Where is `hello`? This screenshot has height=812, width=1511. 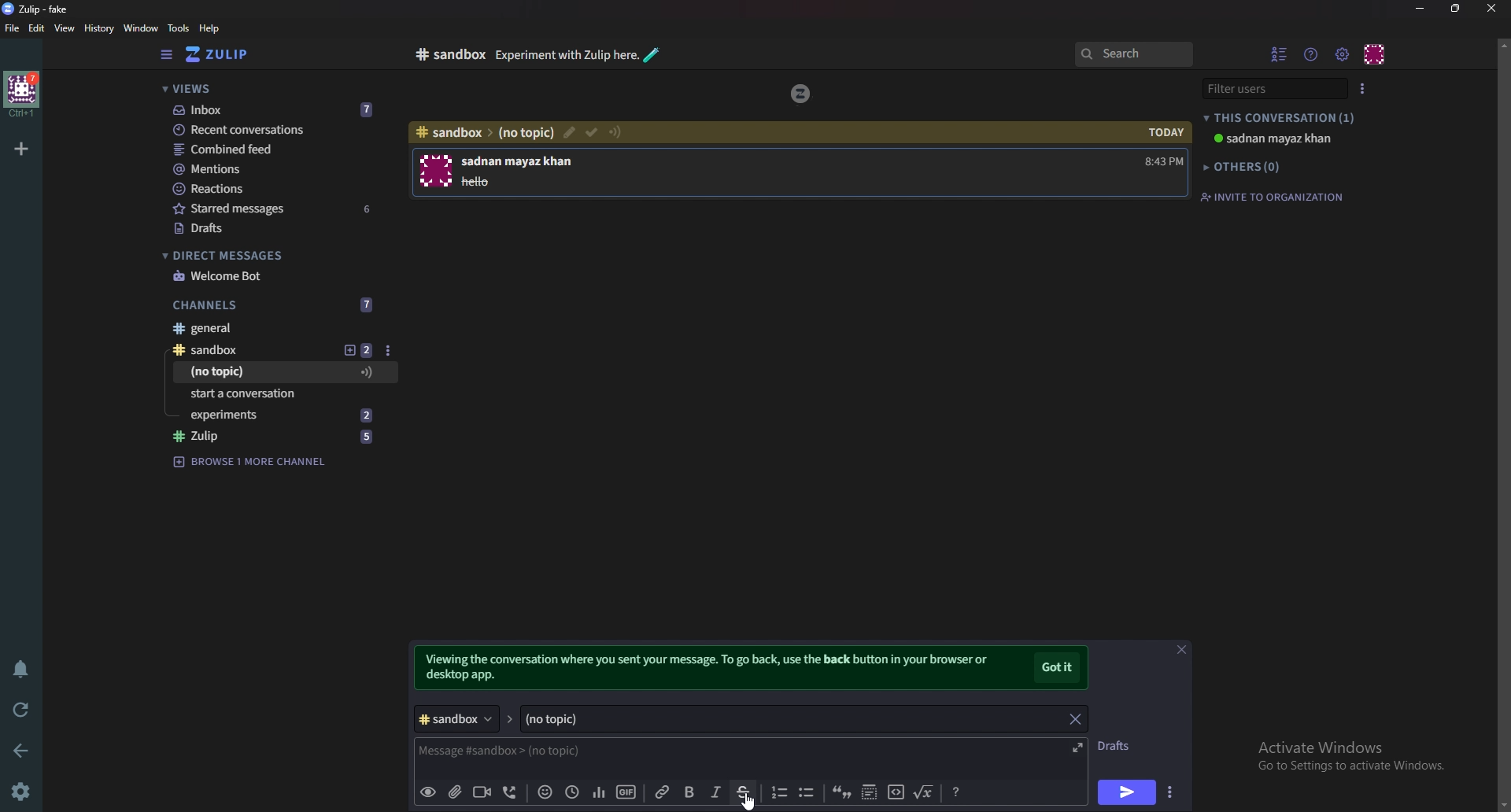
hello is located at coordinates (481, 180).